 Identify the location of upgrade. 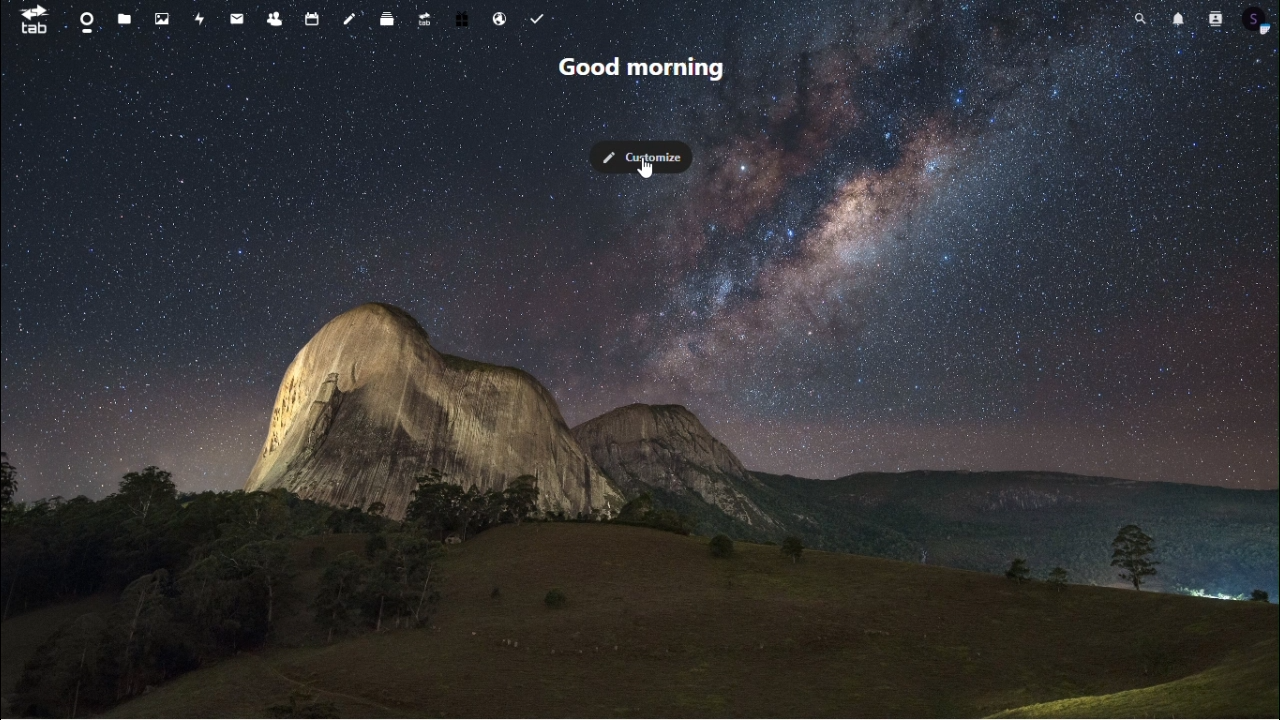
(423, 23).